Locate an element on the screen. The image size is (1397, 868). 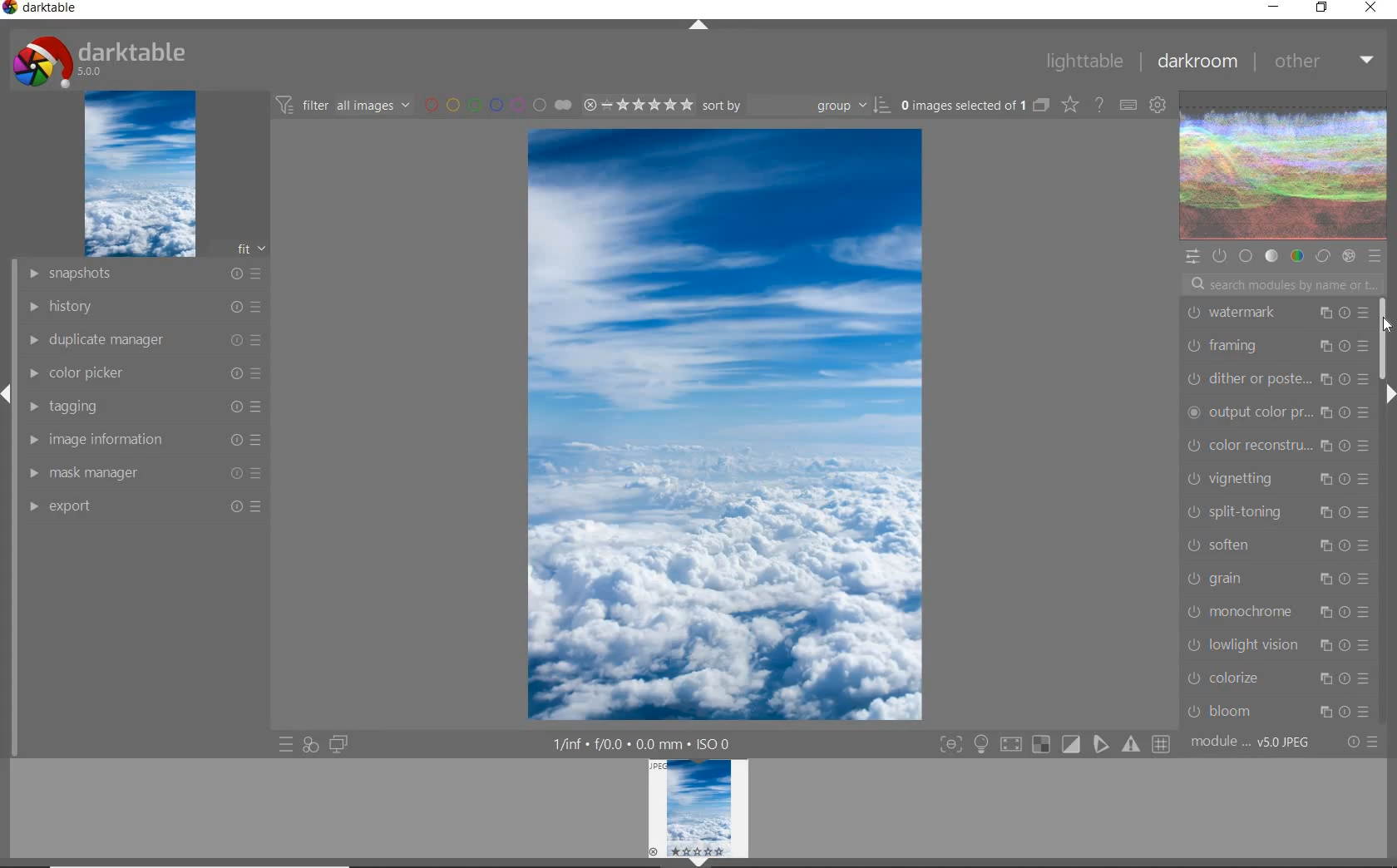
LIGHTTABLE is located at coordinates (1083, 60).